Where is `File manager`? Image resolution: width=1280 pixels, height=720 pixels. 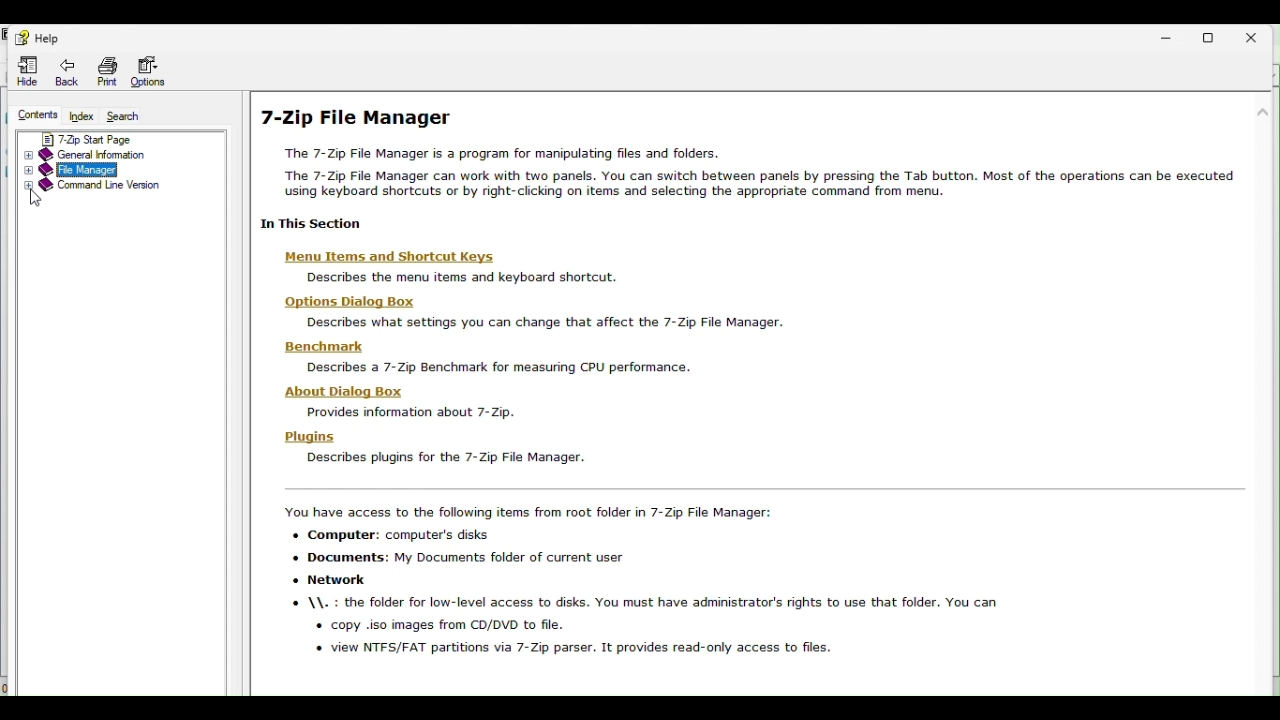 File manager is located at coordinates (109, 170).